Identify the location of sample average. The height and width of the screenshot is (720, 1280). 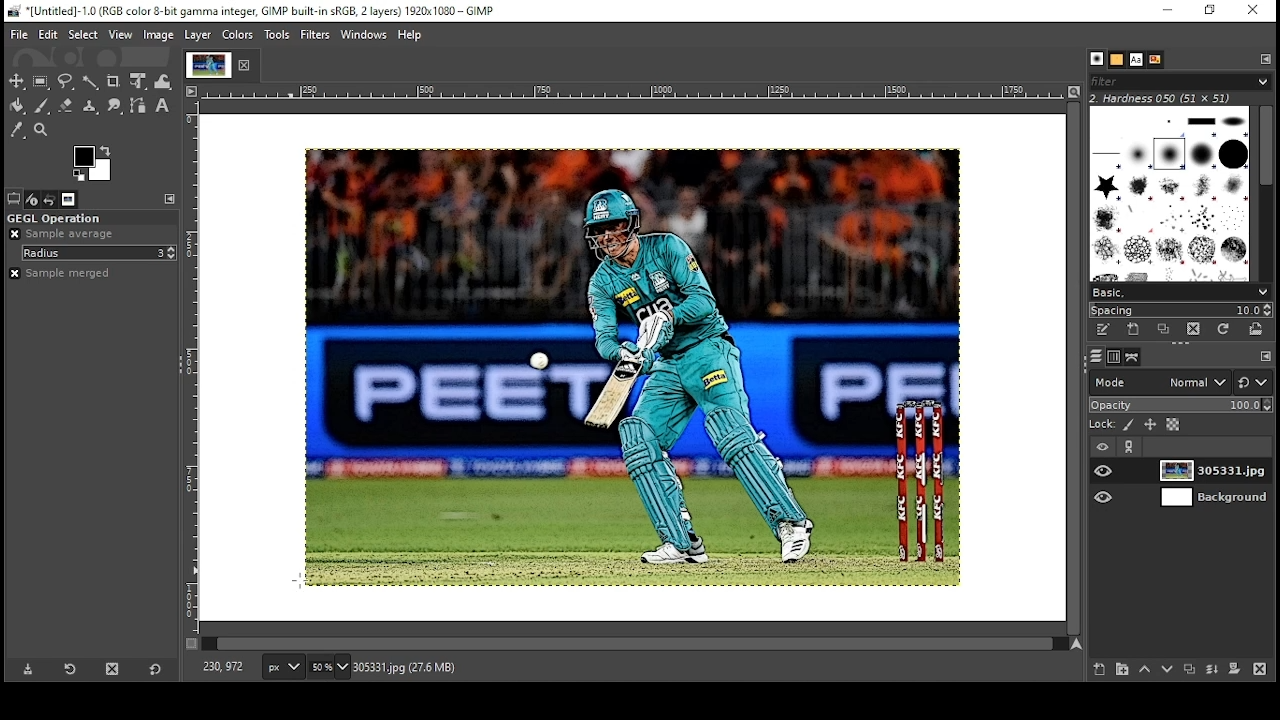
(73, 234).